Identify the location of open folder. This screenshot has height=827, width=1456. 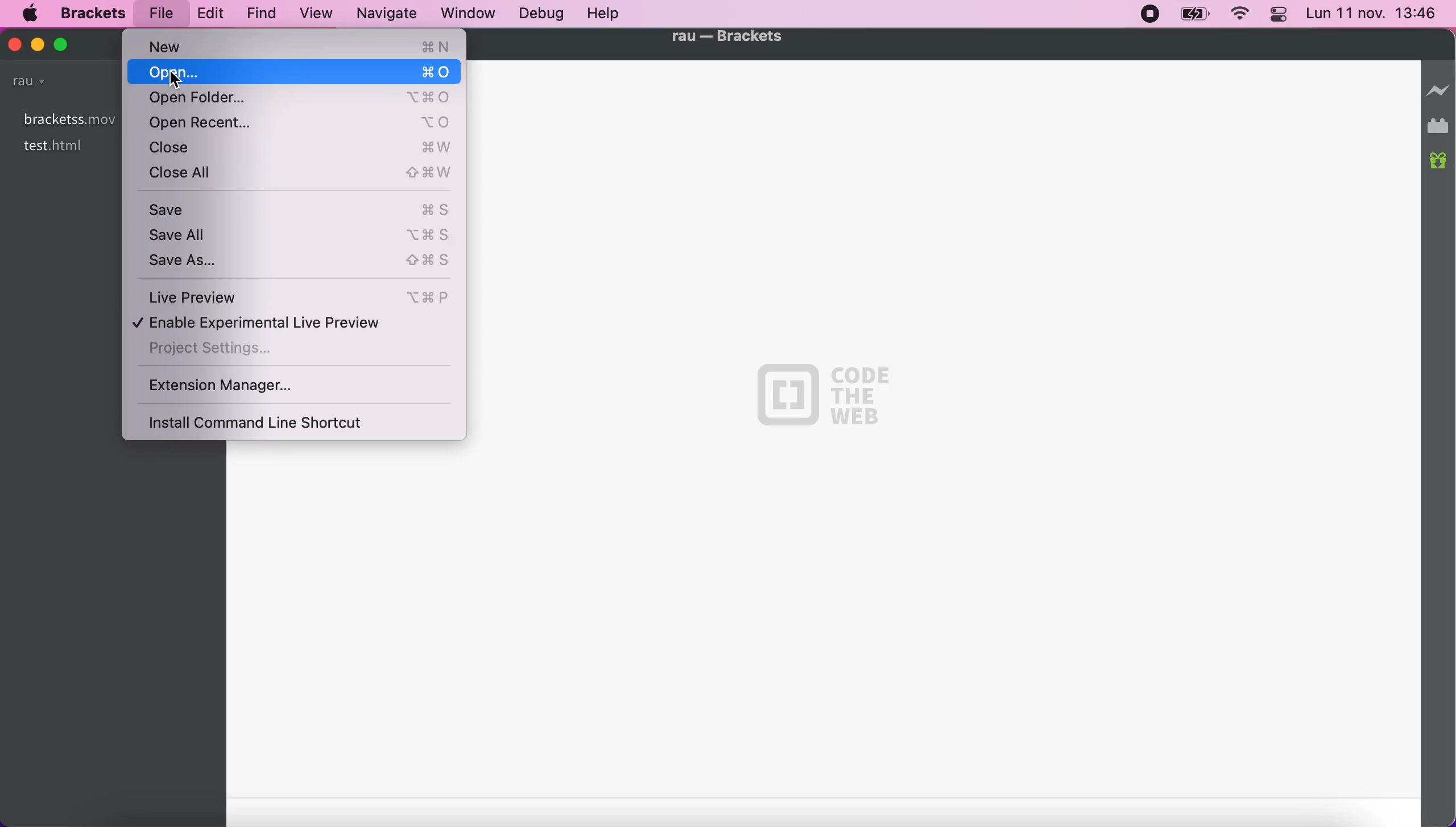
(297, 98).